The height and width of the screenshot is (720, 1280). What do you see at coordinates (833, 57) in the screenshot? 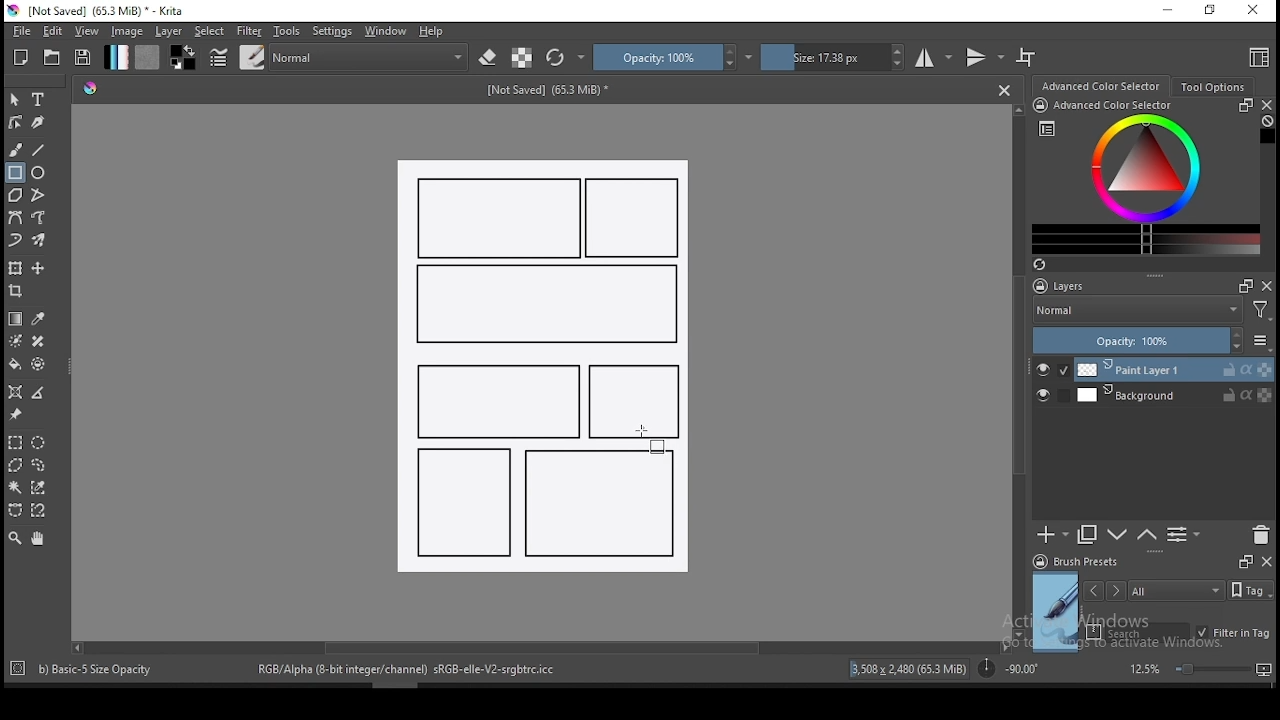
I see `size` at bounding box center [833, 57].